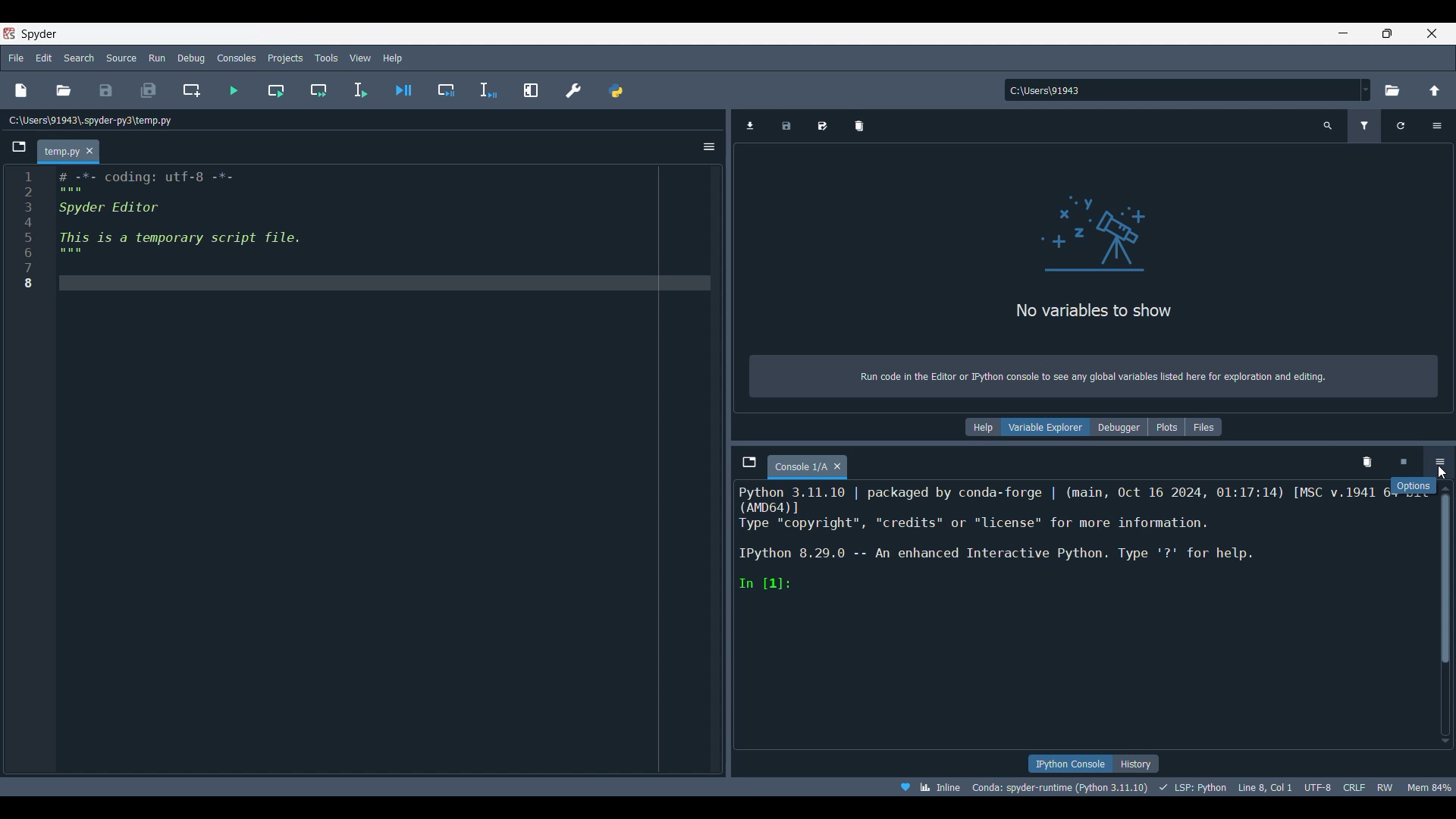 The height and width of the screenshot is (819, 1456). Describe the element at coordinates (1438, 127) in the screenshot. I see `Options` at that location.